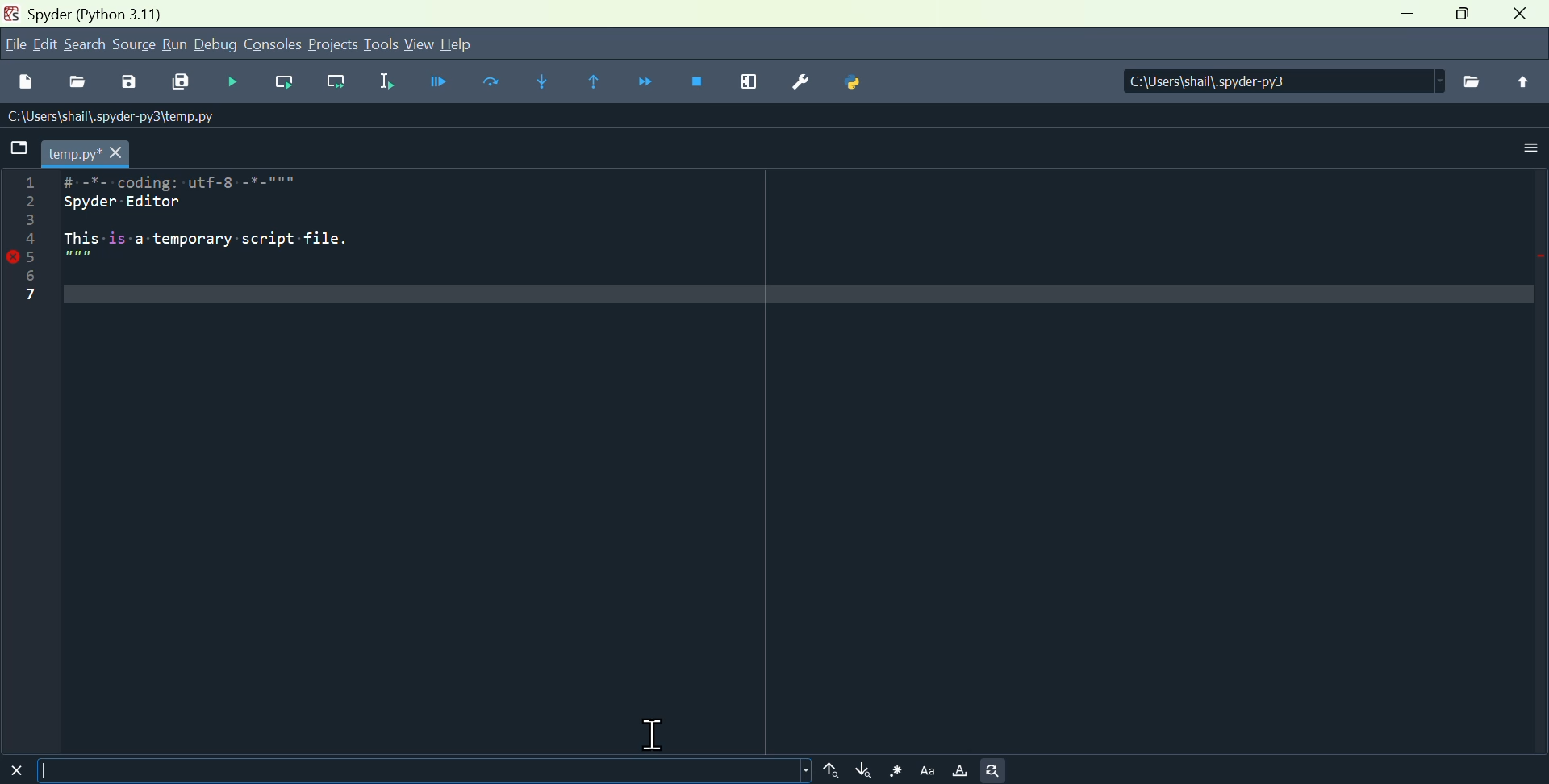  What do you see at coordinates (1521, 83) in the screenshot?
I see `Upload file` at bounding box center [1521, 83].